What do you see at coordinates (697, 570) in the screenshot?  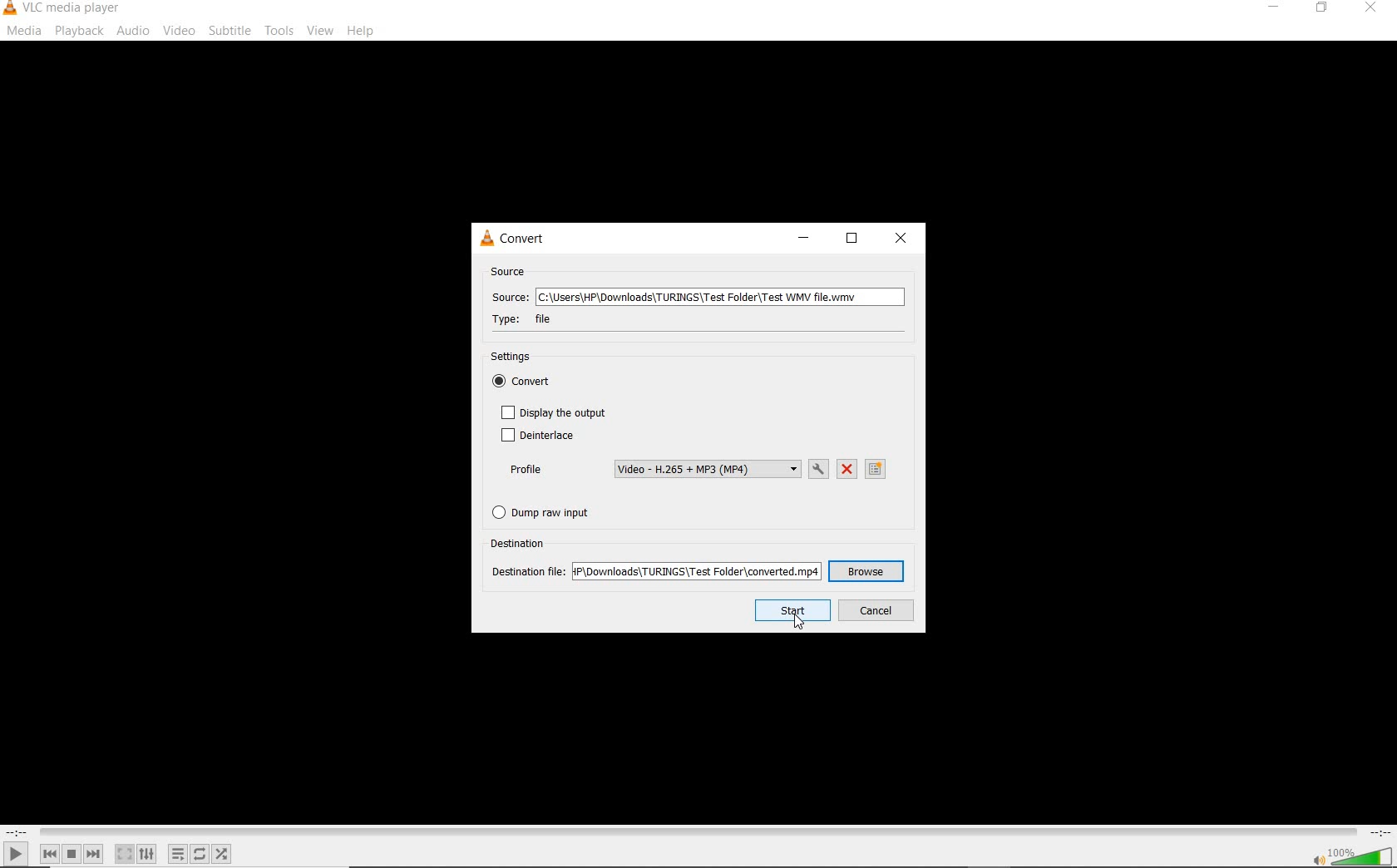 I see `FILE ADDED` at bounding box center [697, 570].